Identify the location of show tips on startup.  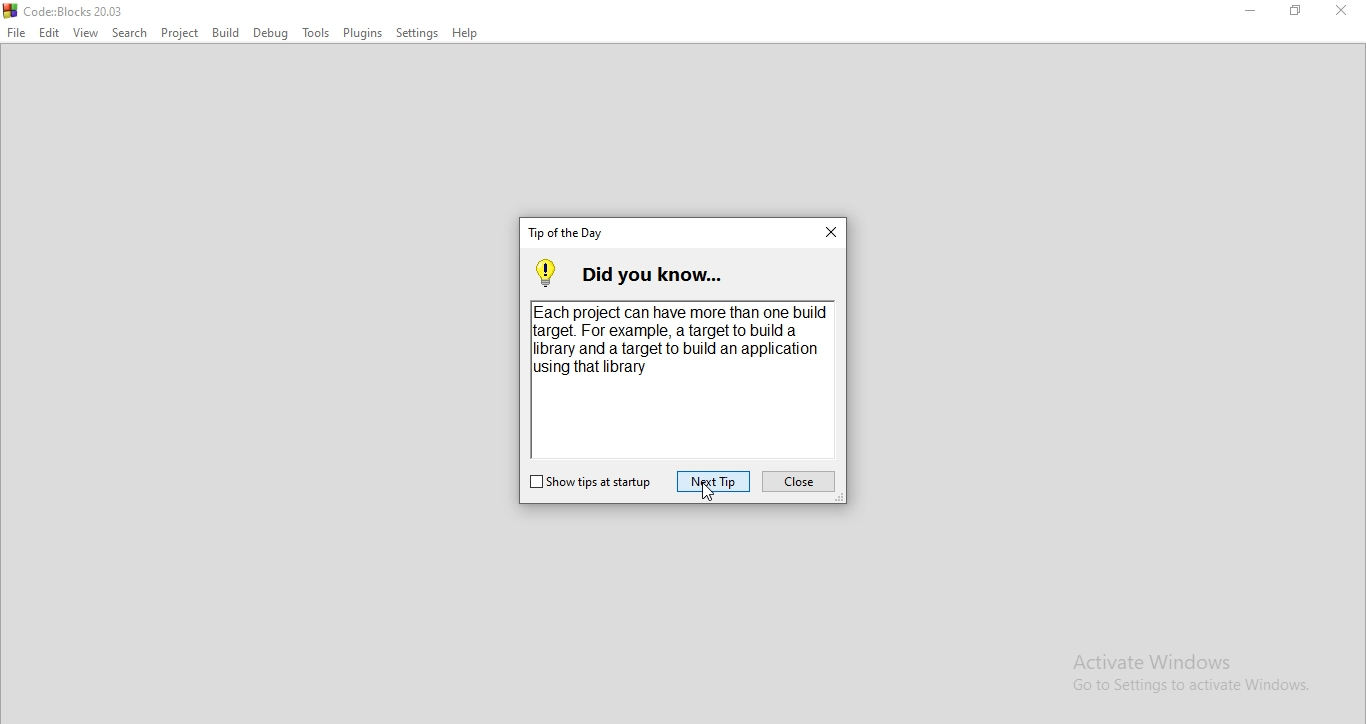
(589, 484).